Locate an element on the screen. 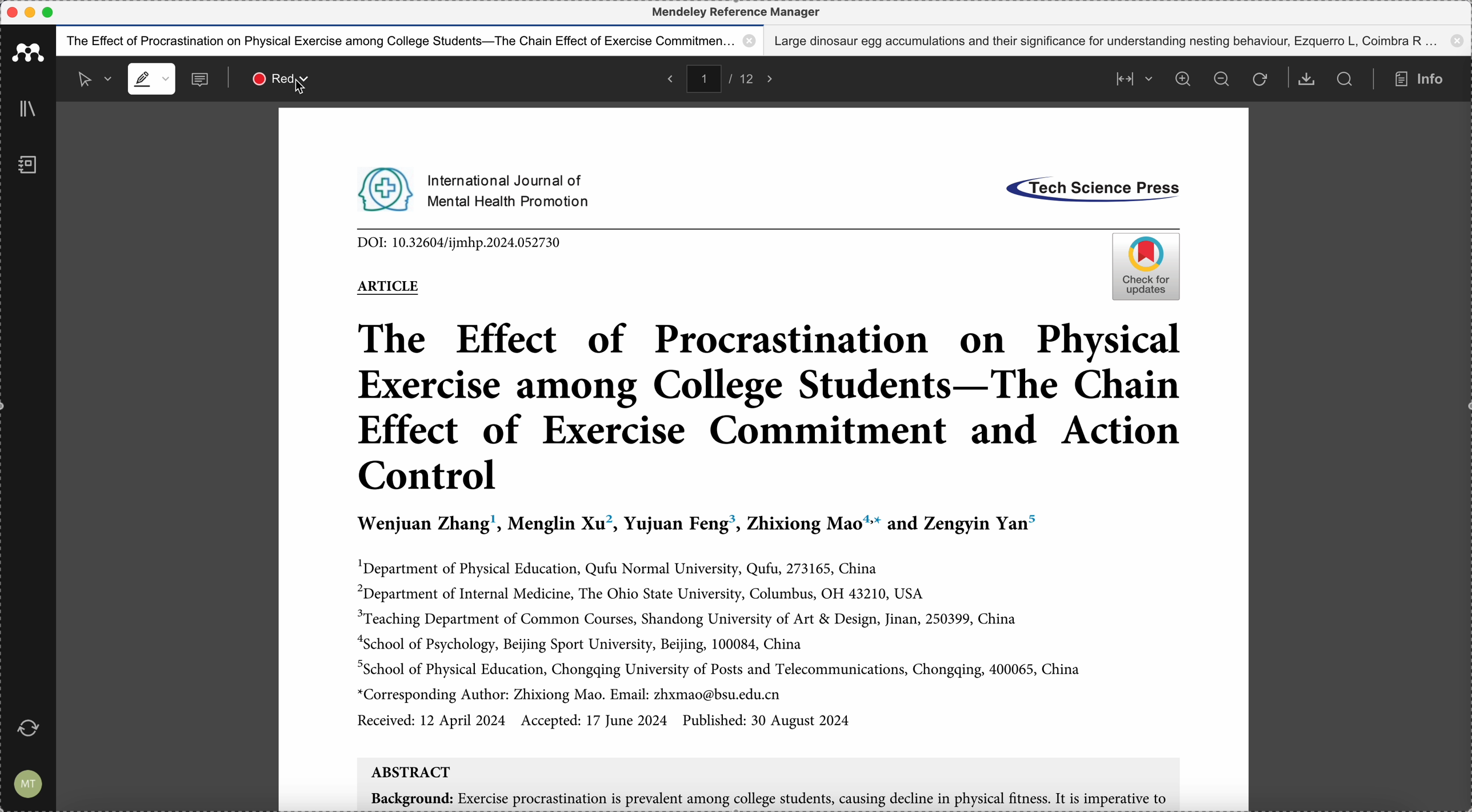 The height and width of the screenshot is (812, 1472). account settings is located at coordinates (29, 782).